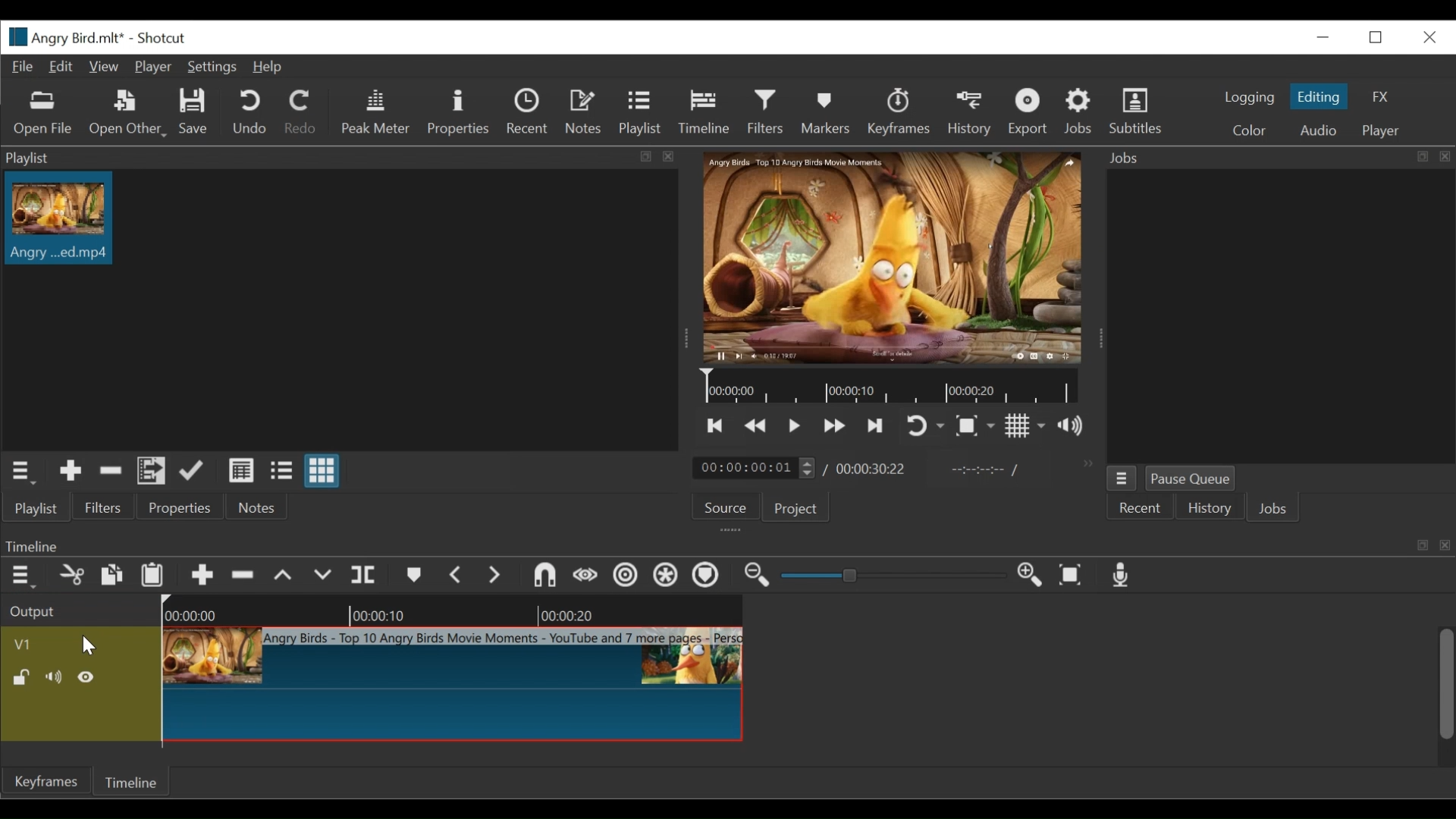 The image size is (1456, 819). I want to click on Previous marker, so click(457, 576).